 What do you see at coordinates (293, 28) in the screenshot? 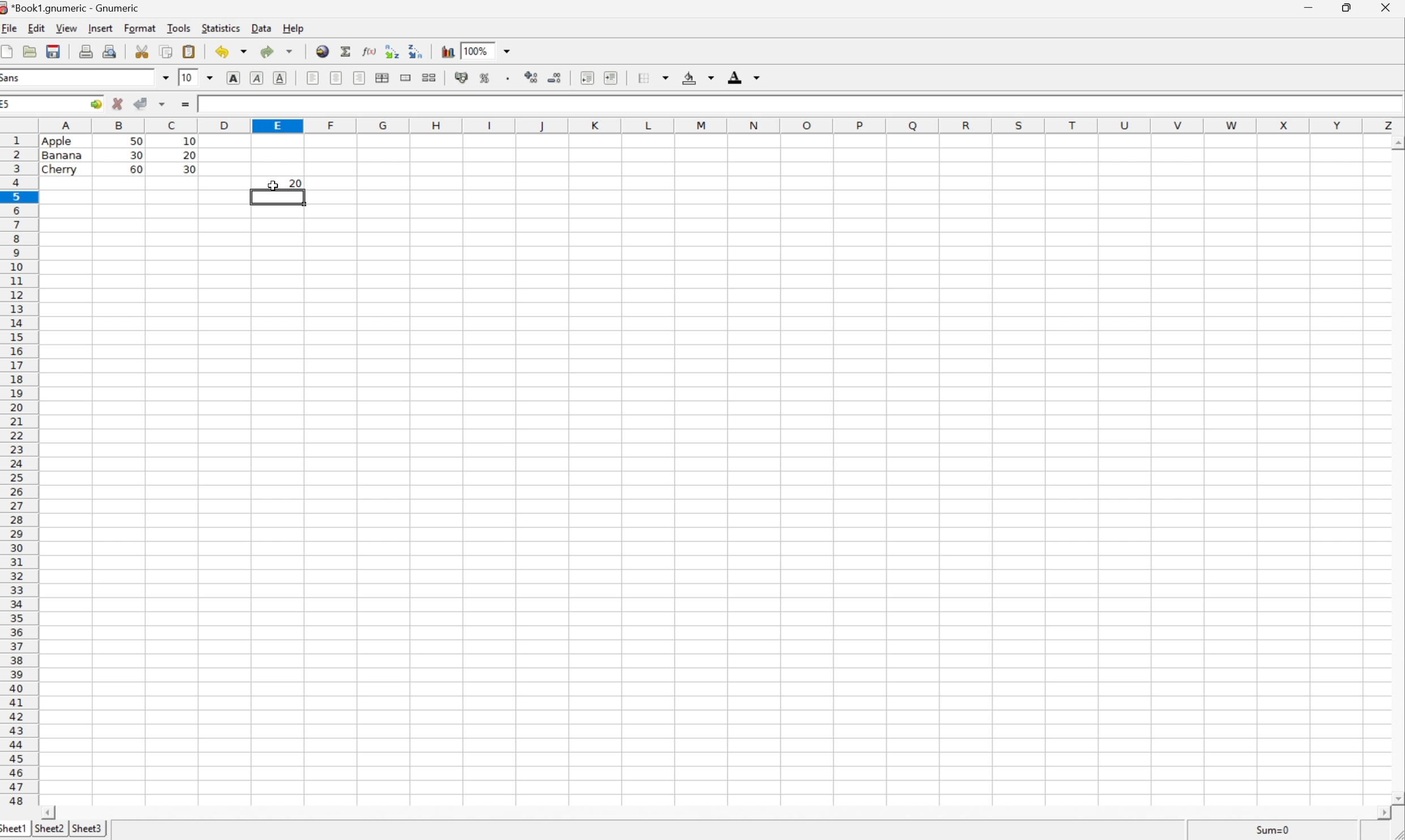
I see `help` at bounding box center [293, 28].